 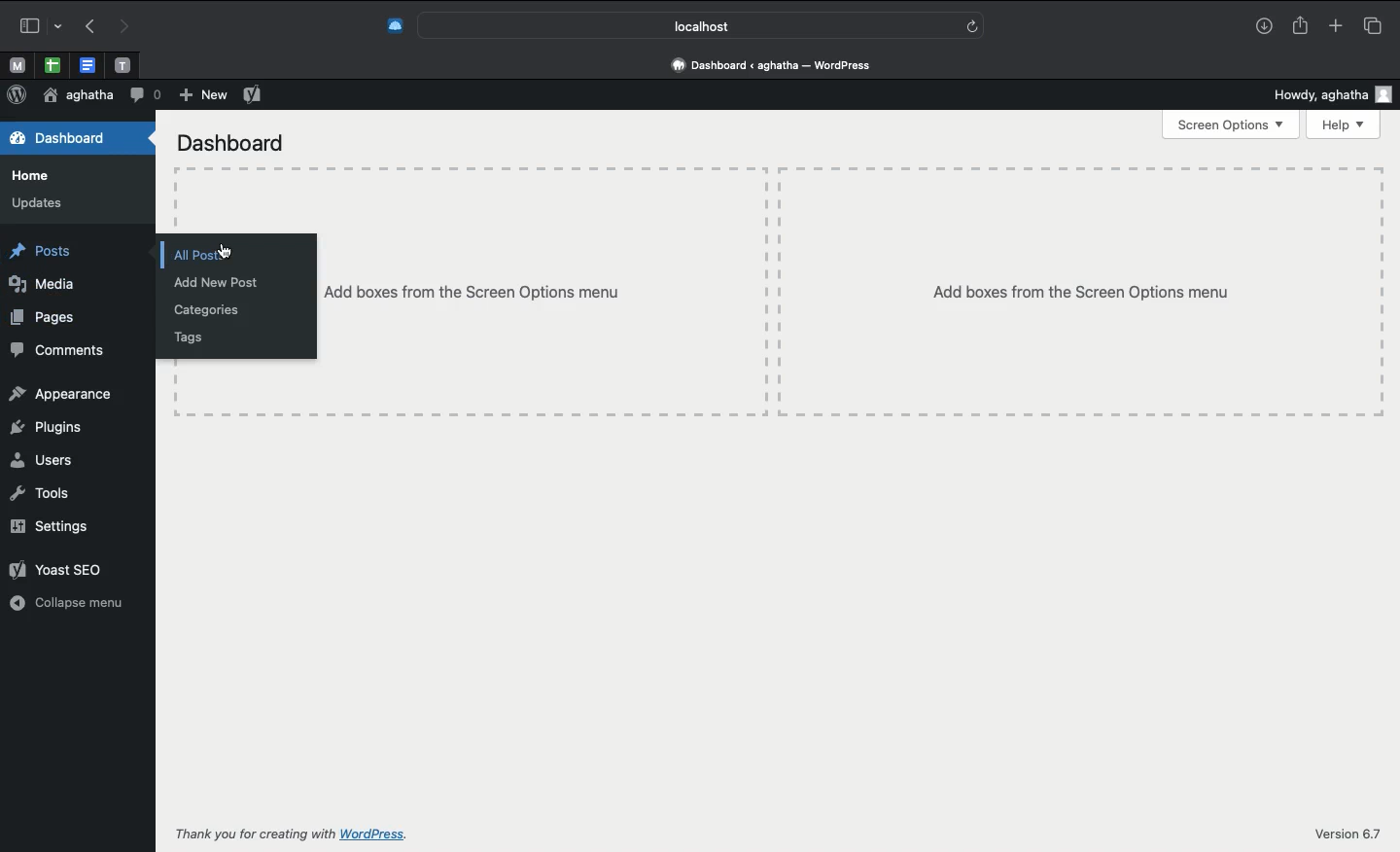 What do you see at coordinates (229, 250) in the screenshot?
I see `cursor` at bounding box center [229, 250].